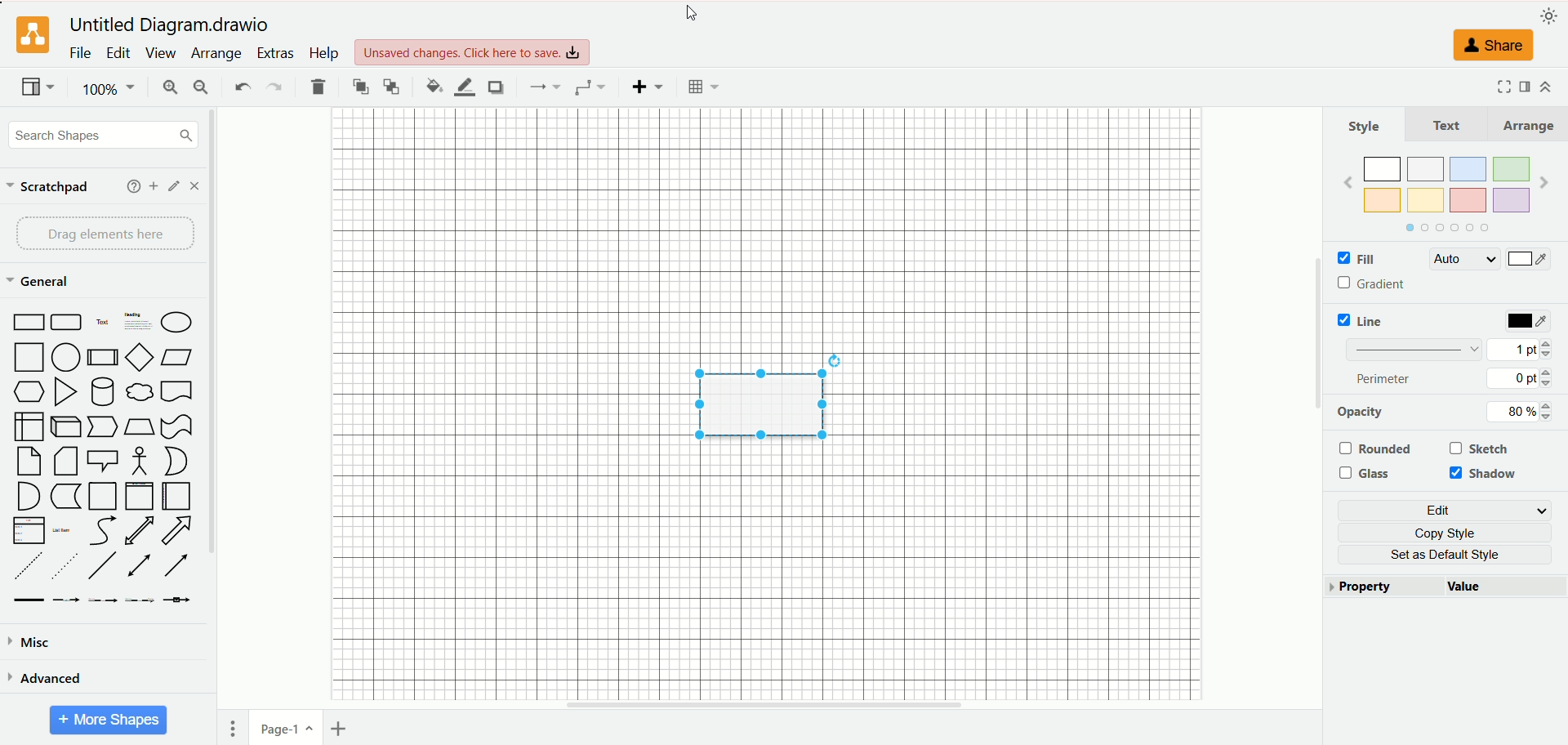 This screenshot has width=1568, height=745. Describe the element at coordinates (1545, 87) in the screenshot. I see `collapse/expand` at that location.